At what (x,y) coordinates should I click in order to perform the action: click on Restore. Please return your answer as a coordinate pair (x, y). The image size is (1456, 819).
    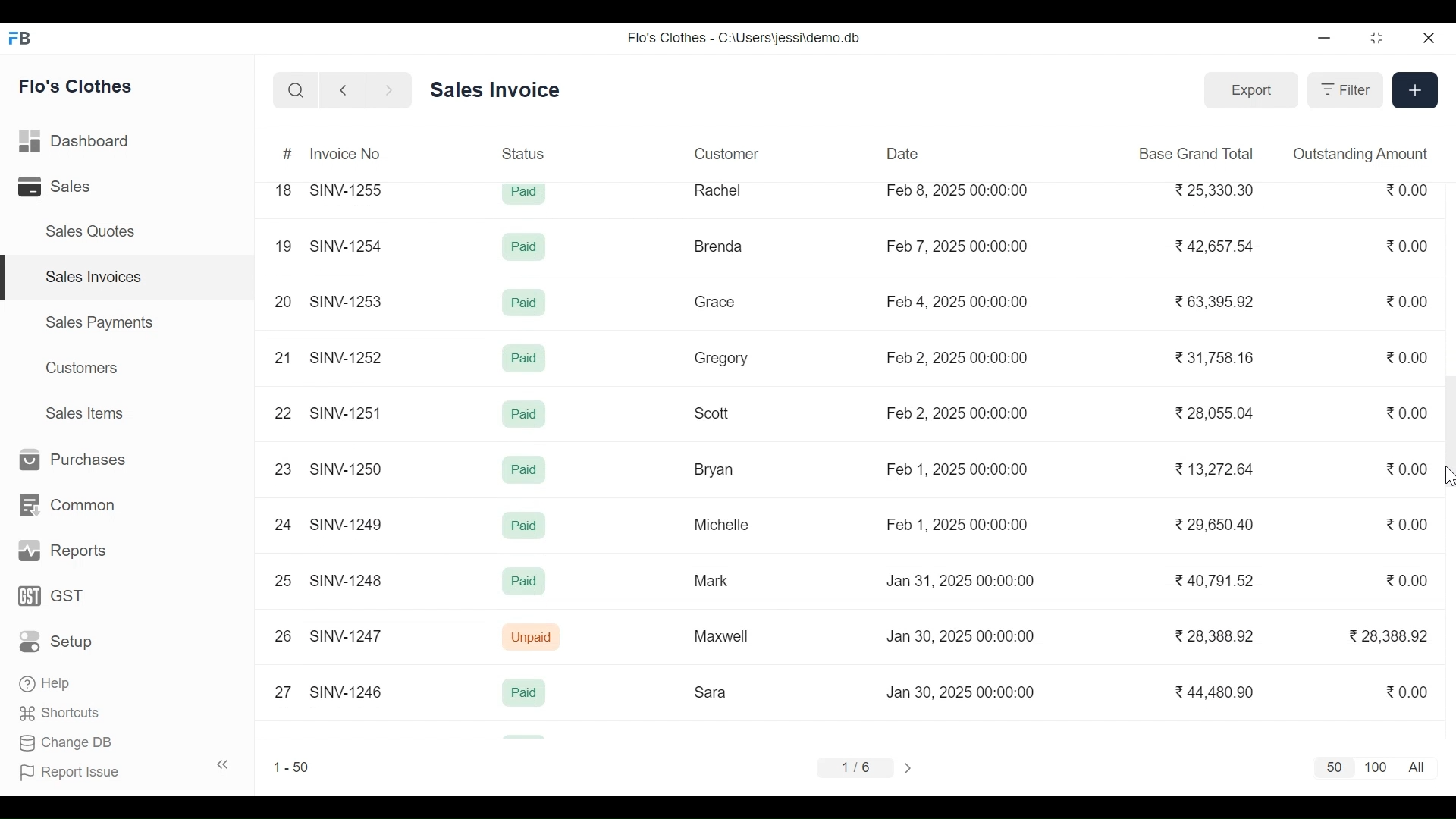
    Looking at the image, I should click on (1377, 39).